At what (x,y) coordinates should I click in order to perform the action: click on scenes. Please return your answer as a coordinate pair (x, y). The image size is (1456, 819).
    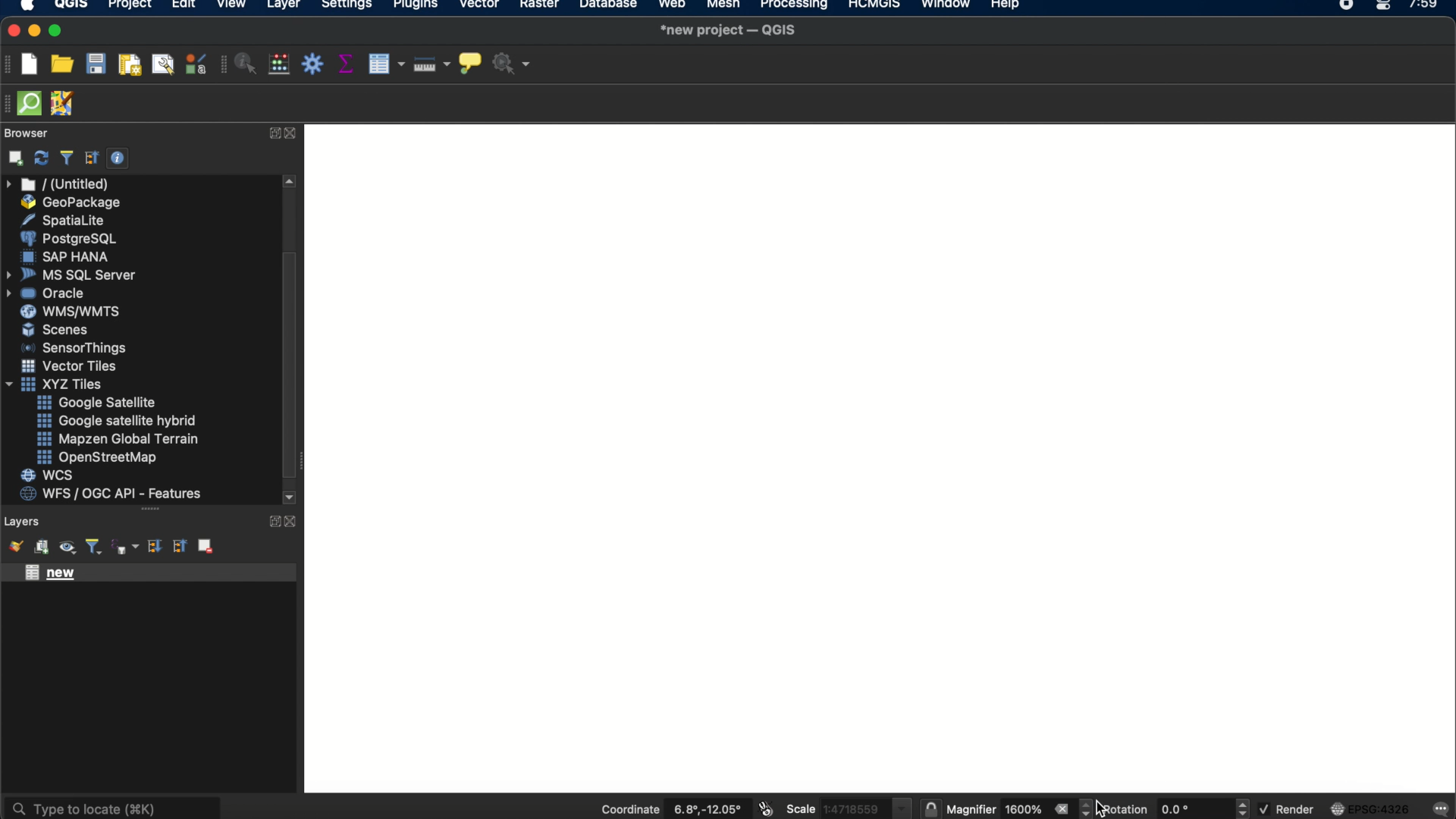
    Looking at the image, I should click on (56, 329).